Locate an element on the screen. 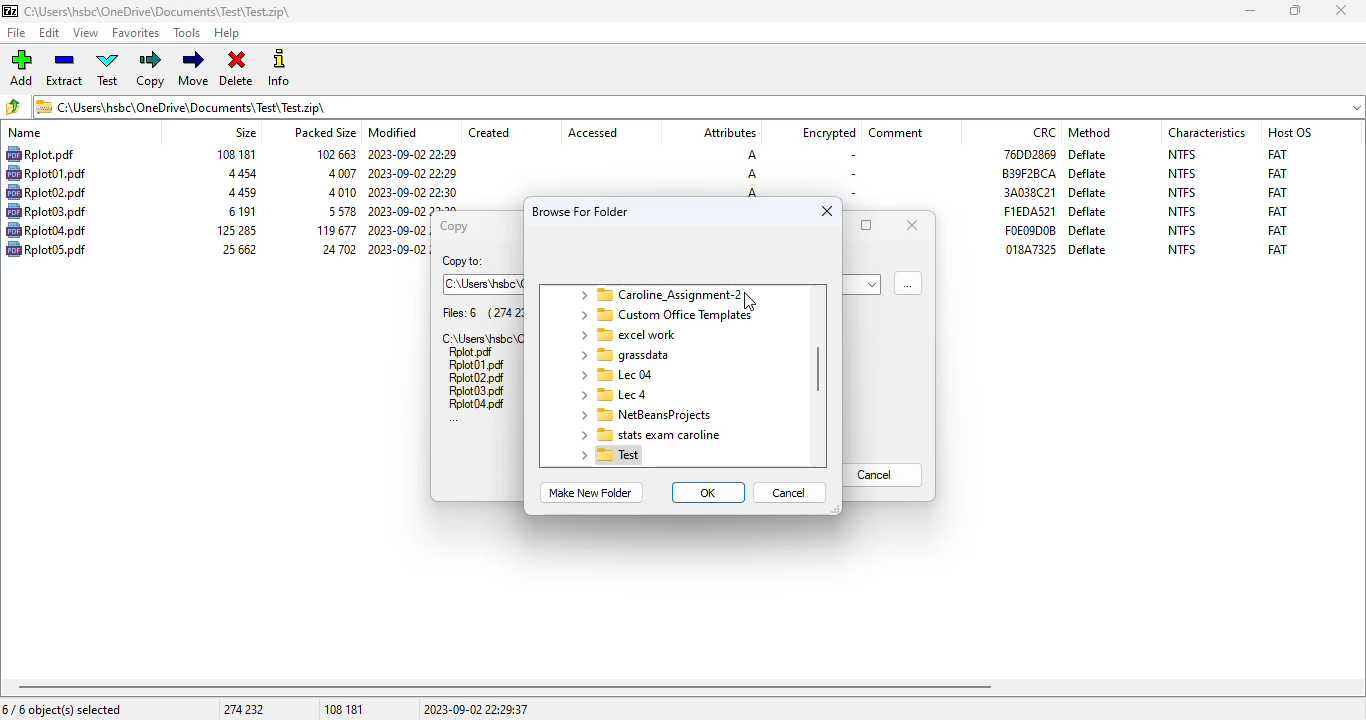 This screenshot has height=720, width=1366. .zip archive is located at coordinates (157, 11).